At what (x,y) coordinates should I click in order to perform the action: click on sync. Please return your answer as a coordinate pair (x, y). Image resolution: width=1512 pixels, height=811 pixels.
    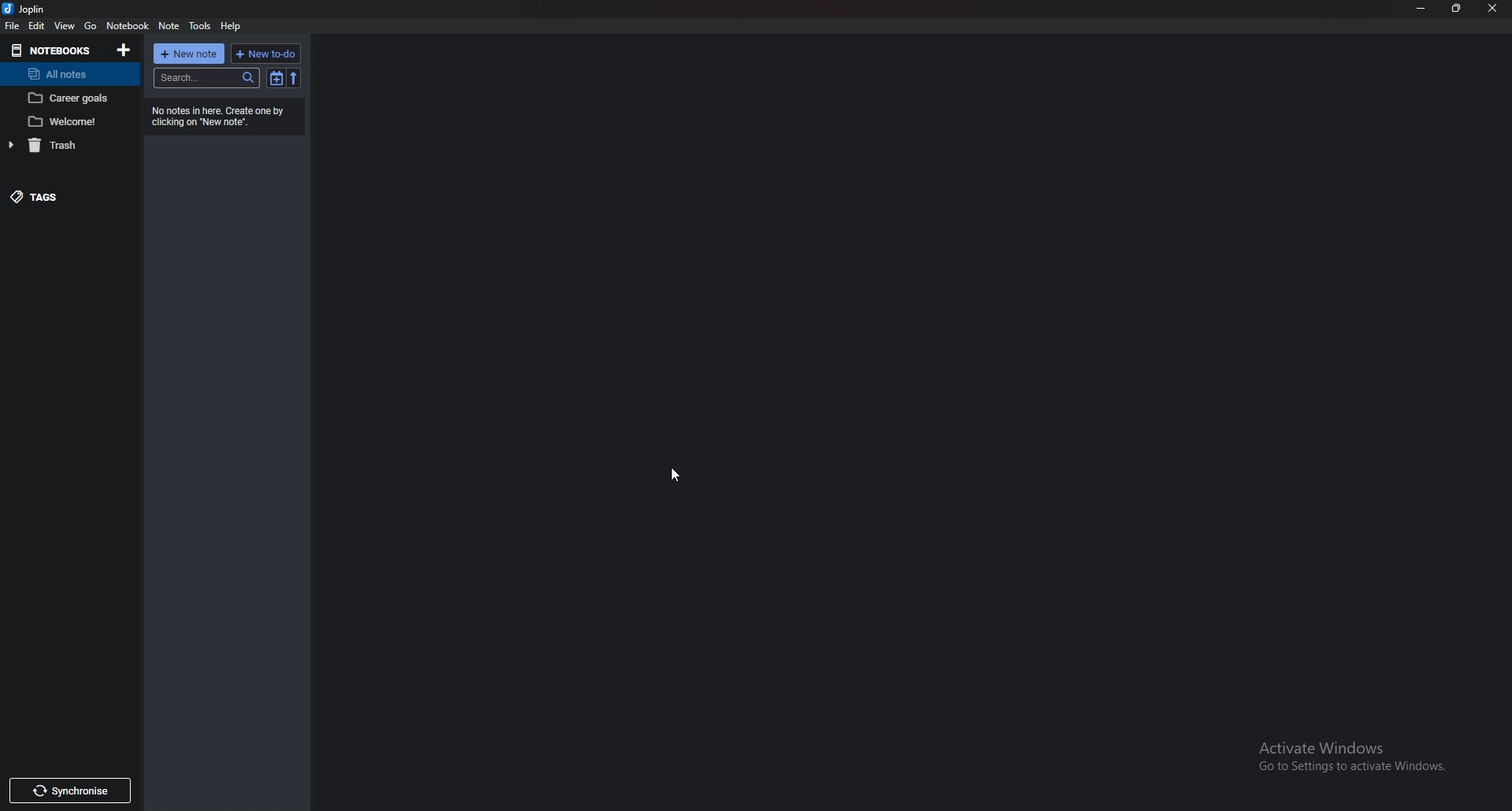
    Looking at the image, I should click on (69, 793).